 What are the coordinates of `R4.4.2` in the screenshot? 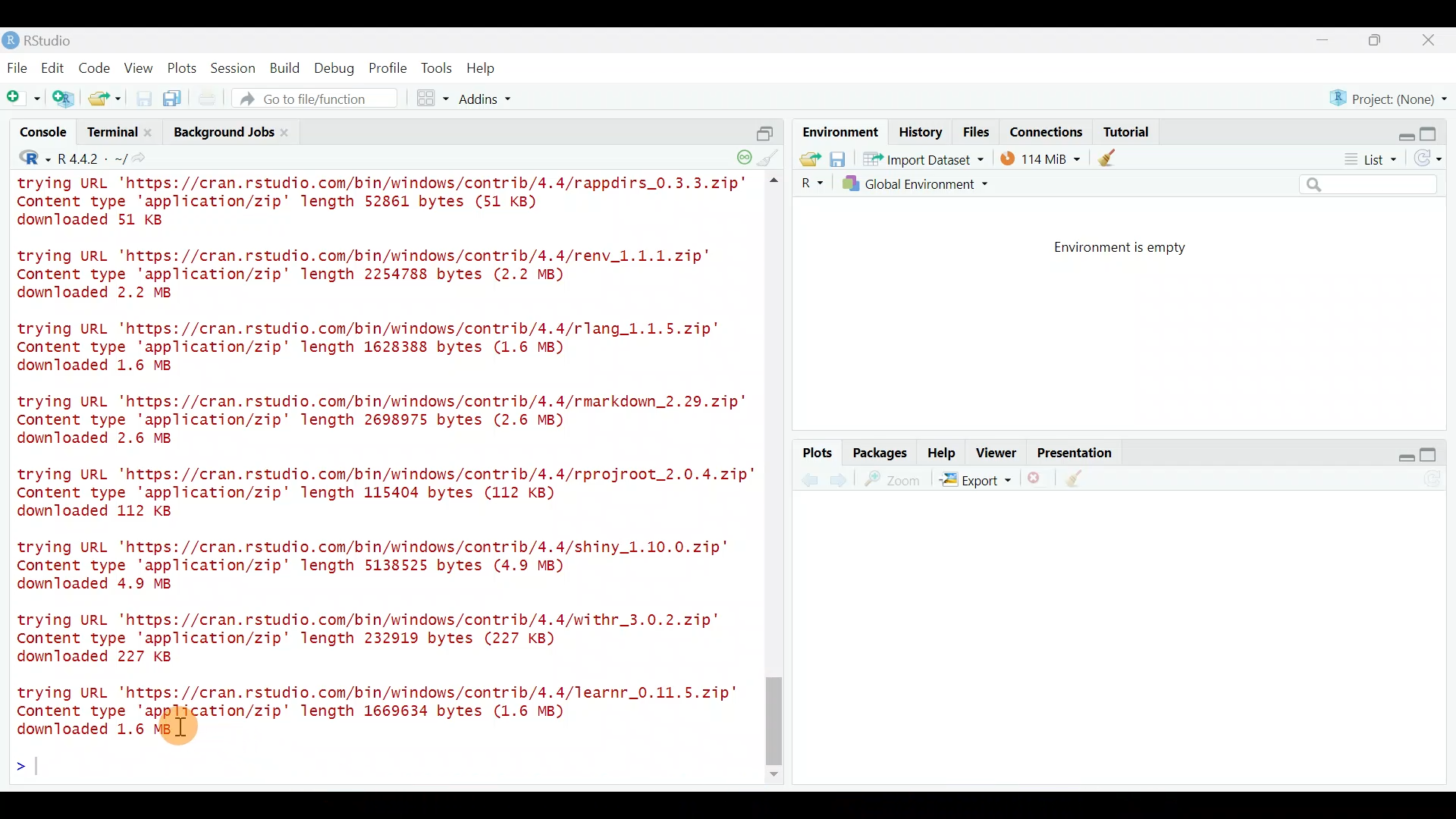 It's located at (91, 158).